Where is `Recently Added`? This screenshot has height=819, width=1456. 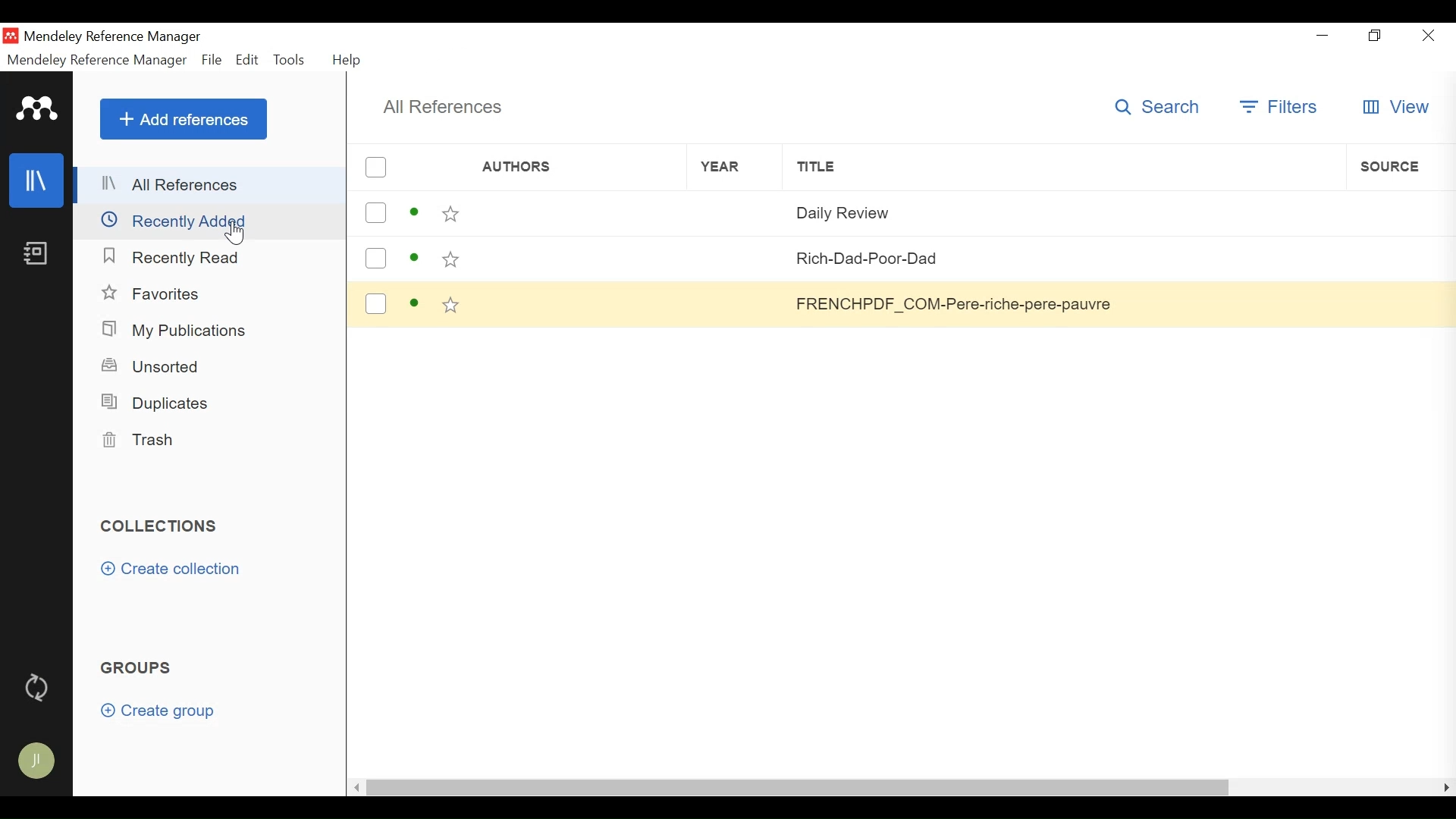 Recently Added is located at coordinates (207, 221).